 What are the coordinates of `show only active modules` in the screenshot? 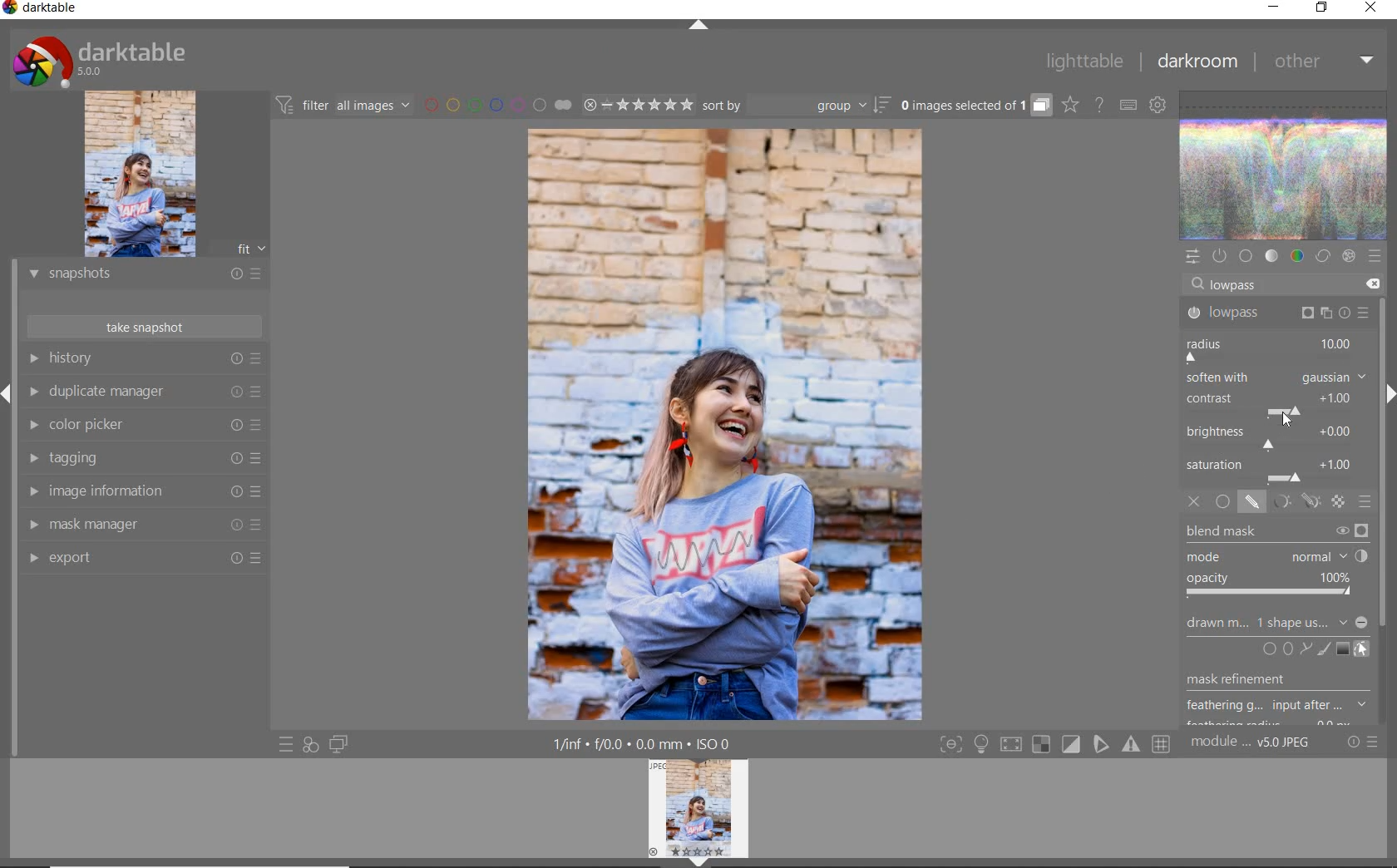 It's located at (1220, 257).